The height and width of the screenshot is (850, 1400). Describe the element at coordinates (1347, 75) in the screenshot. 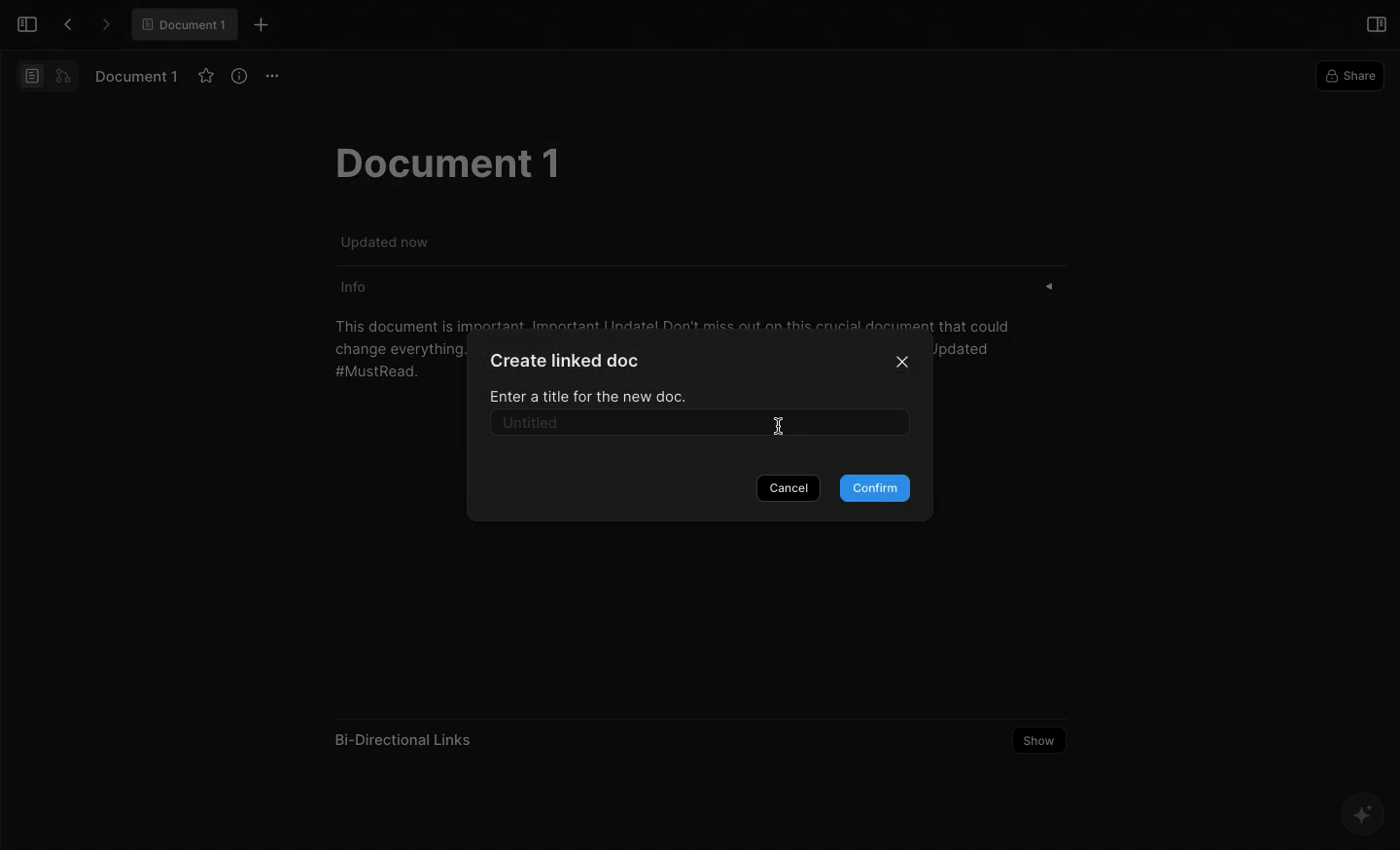

I see `Share` at that location.